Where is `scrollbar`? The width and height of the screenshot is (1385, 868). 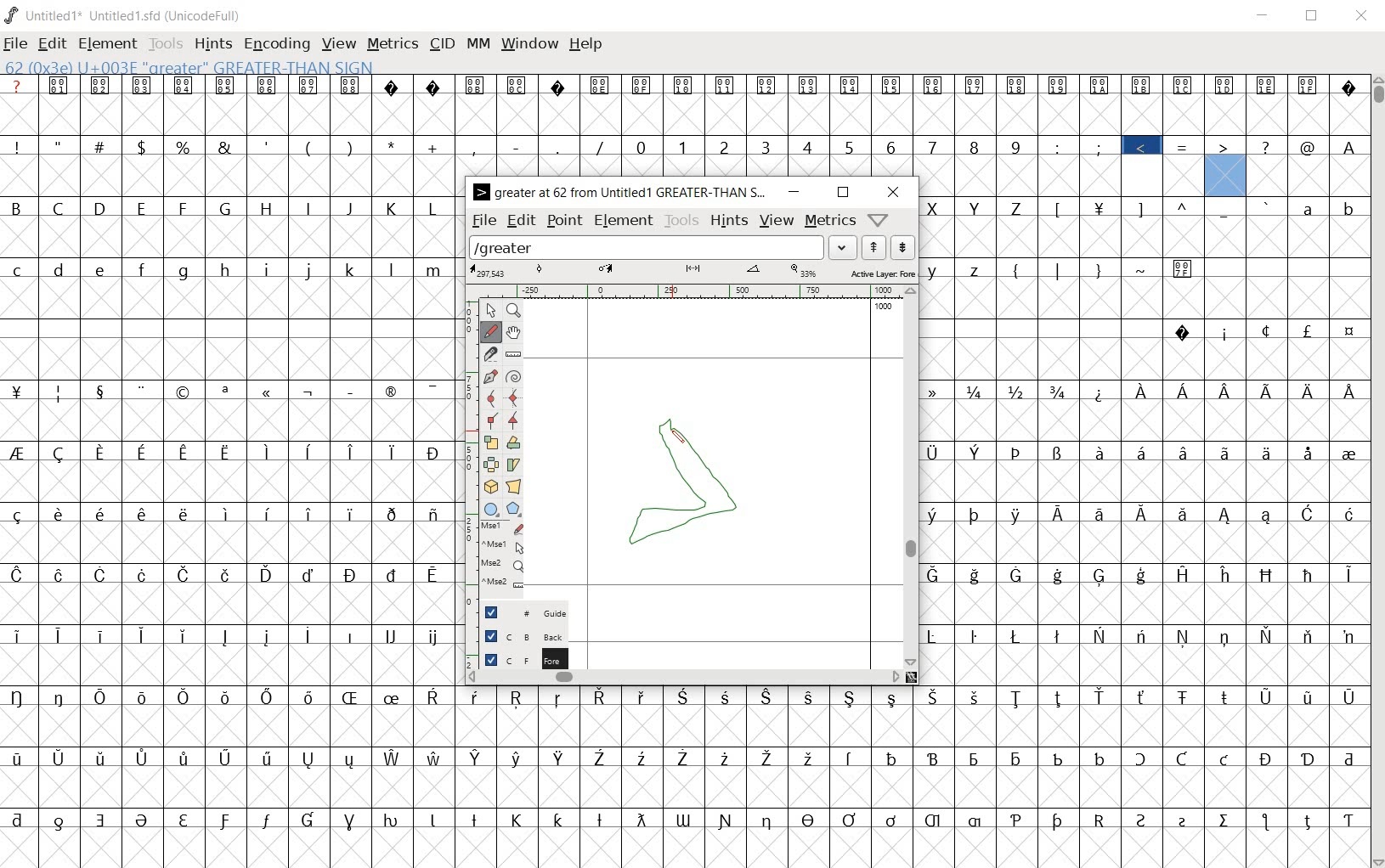 scrollbar is located at coordinates (684, 679).